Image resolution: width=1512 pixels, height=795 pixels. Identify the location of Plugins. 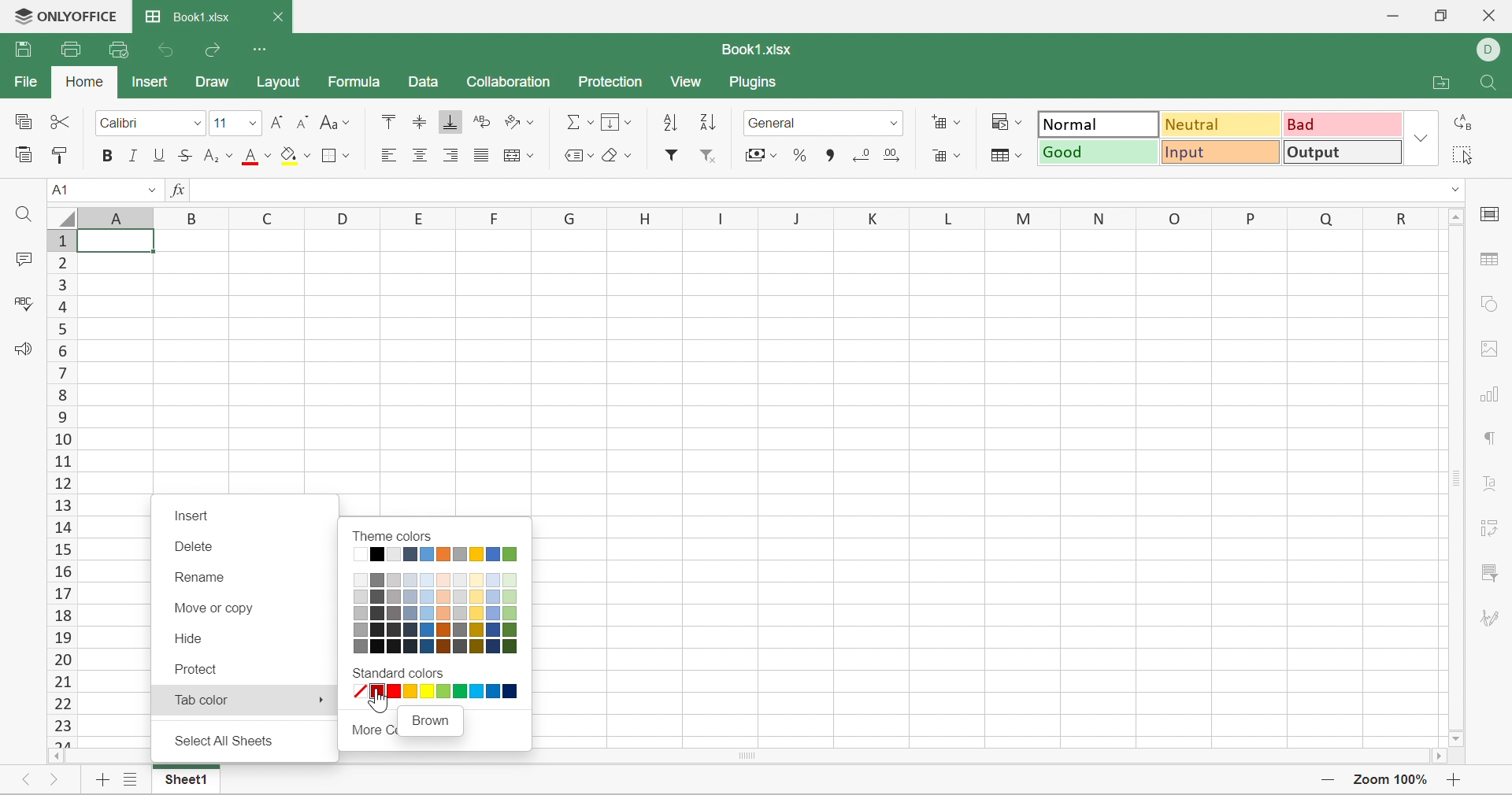
(755, 83).